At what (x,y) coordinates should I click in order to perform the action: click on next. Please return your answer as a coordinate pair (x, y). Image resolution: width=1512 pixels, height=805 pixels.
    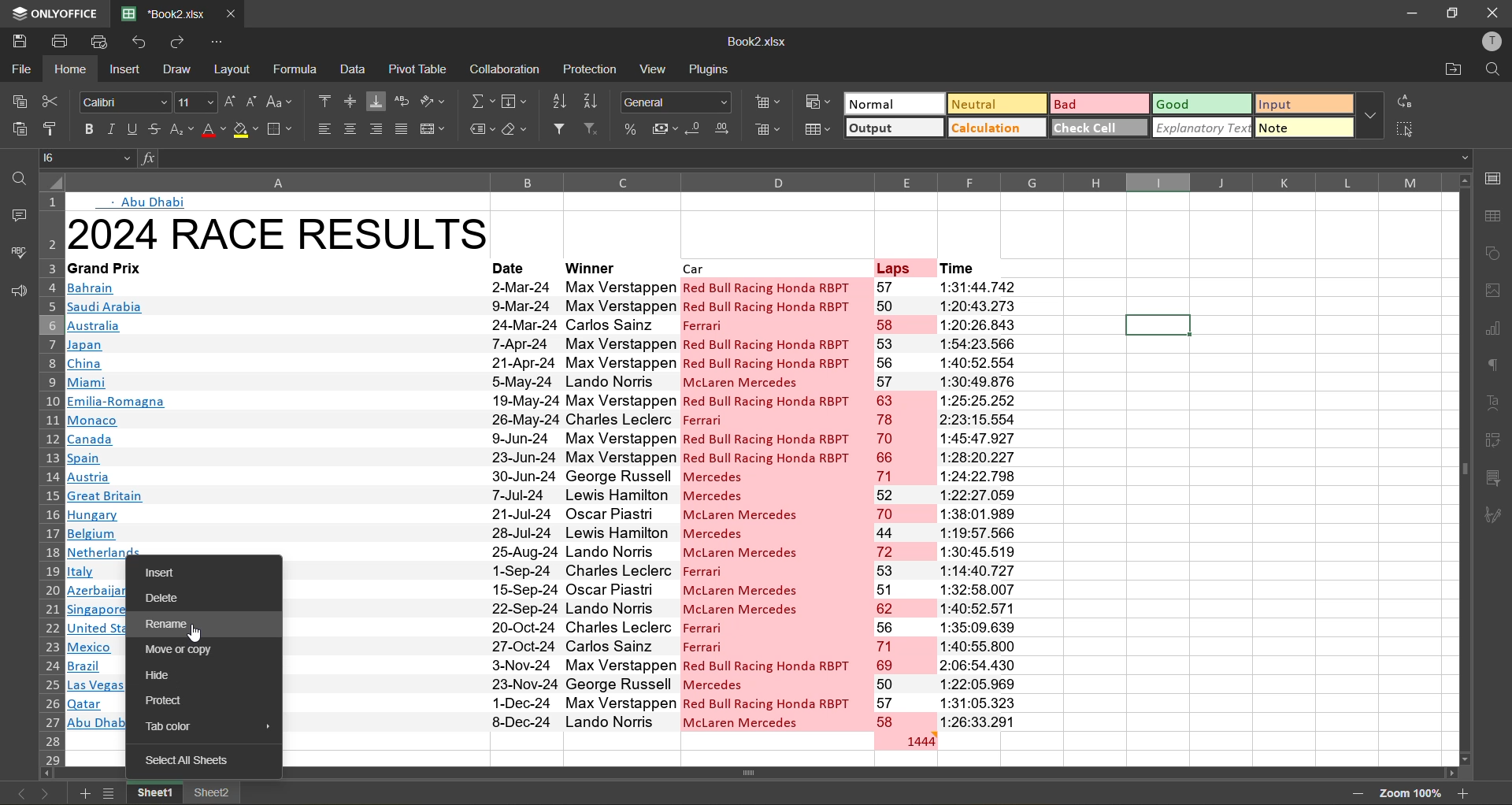
    Looking at the image, I should click on (48, 791).